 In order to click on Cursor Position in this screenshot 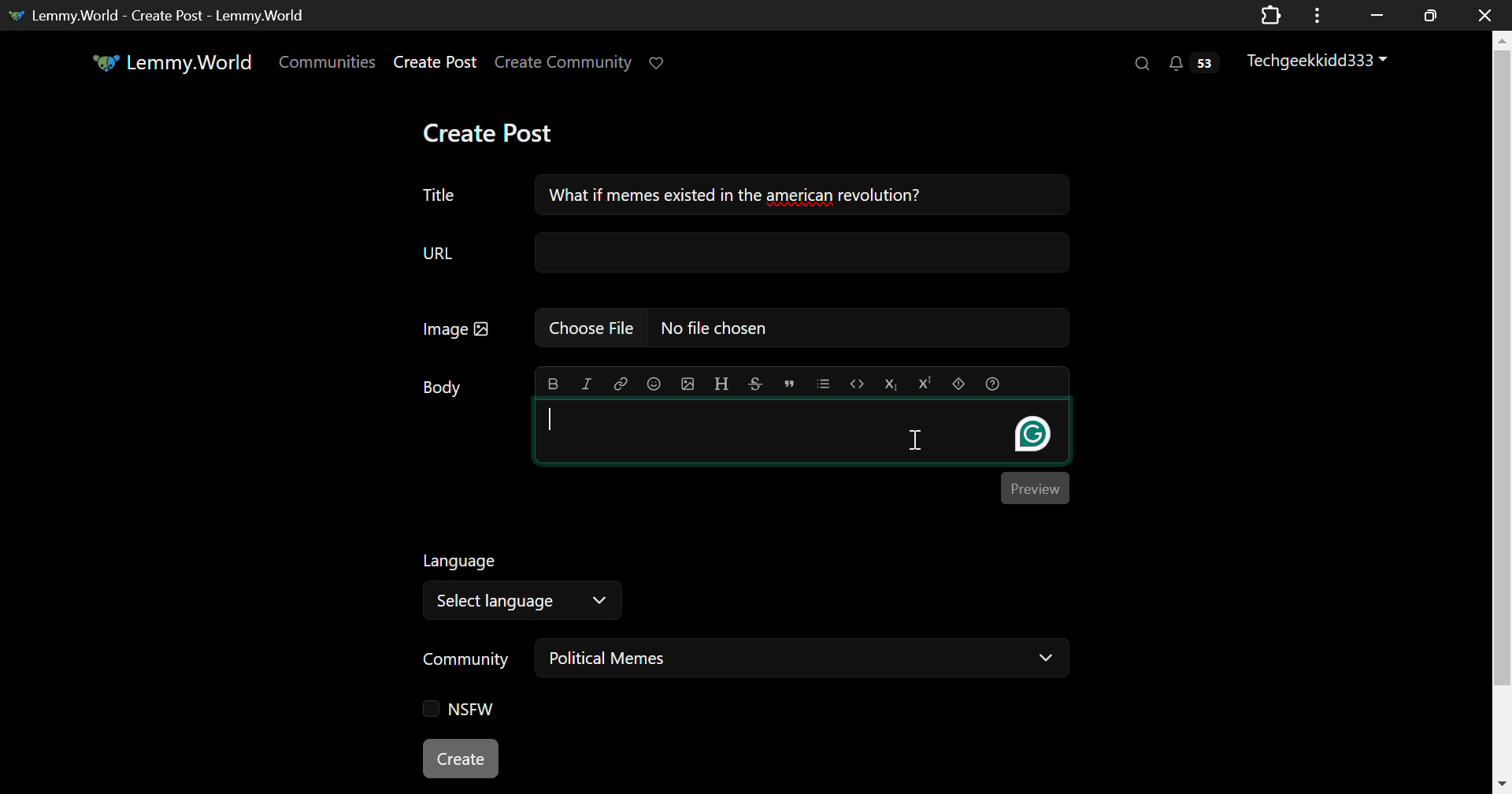, I will do `click(916, 440)`.